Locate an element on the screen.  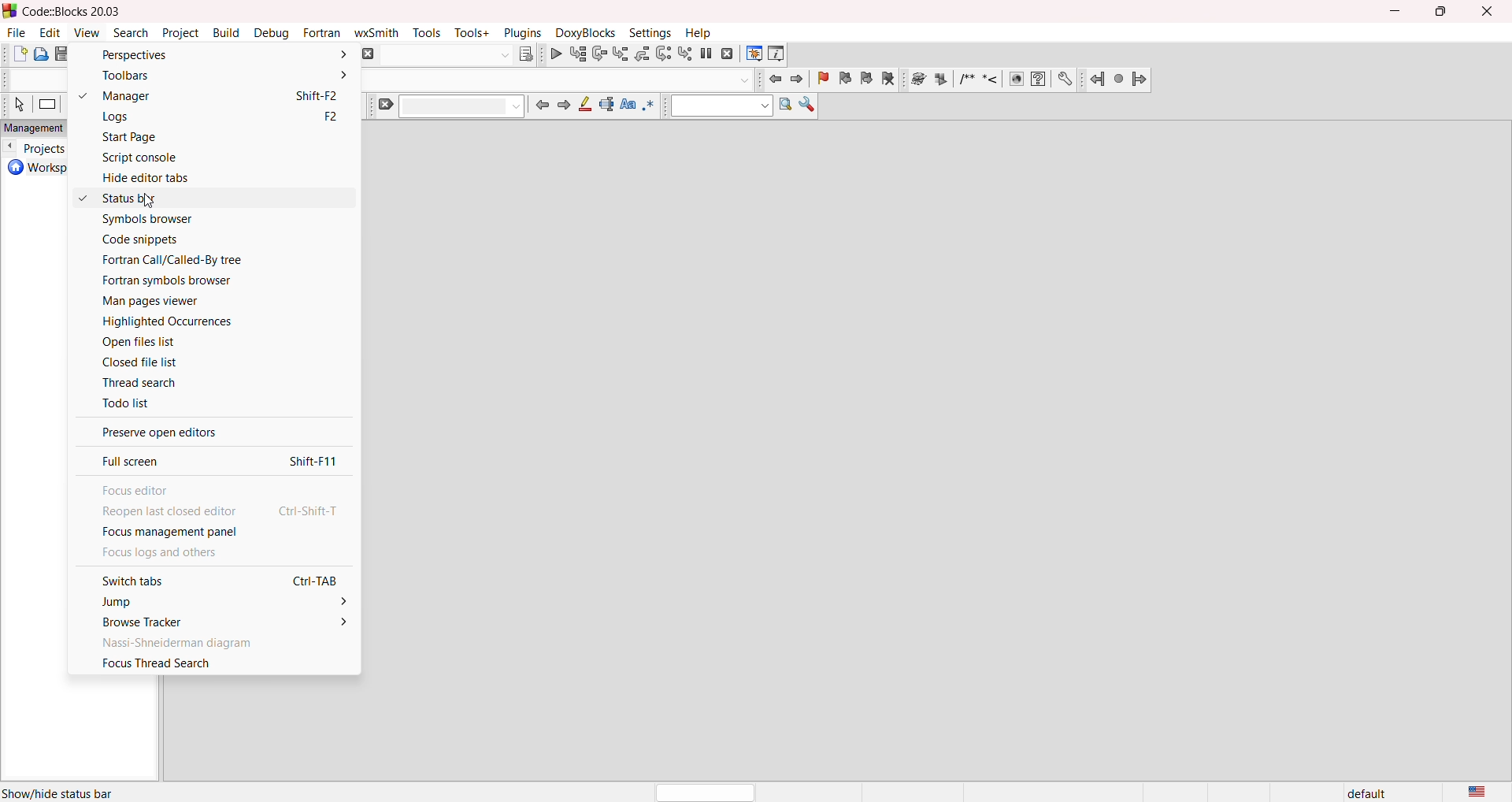
focus editor is located at coordinates (208, 485).